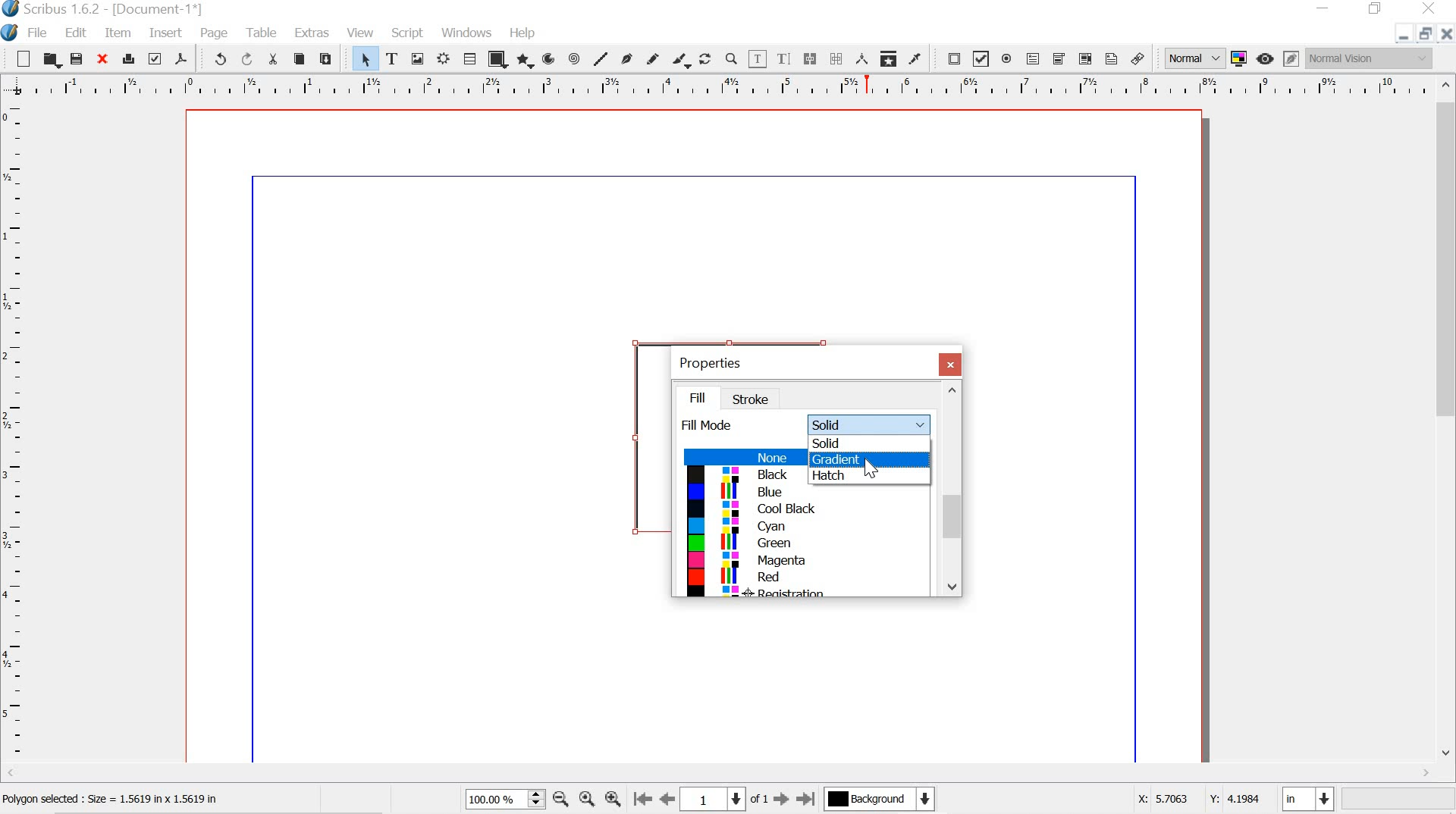 This screenshot has width=1456, height=814. Describe the element at coordinates (759, 58) in the screenshot. I see `edit content of frames` at that location.